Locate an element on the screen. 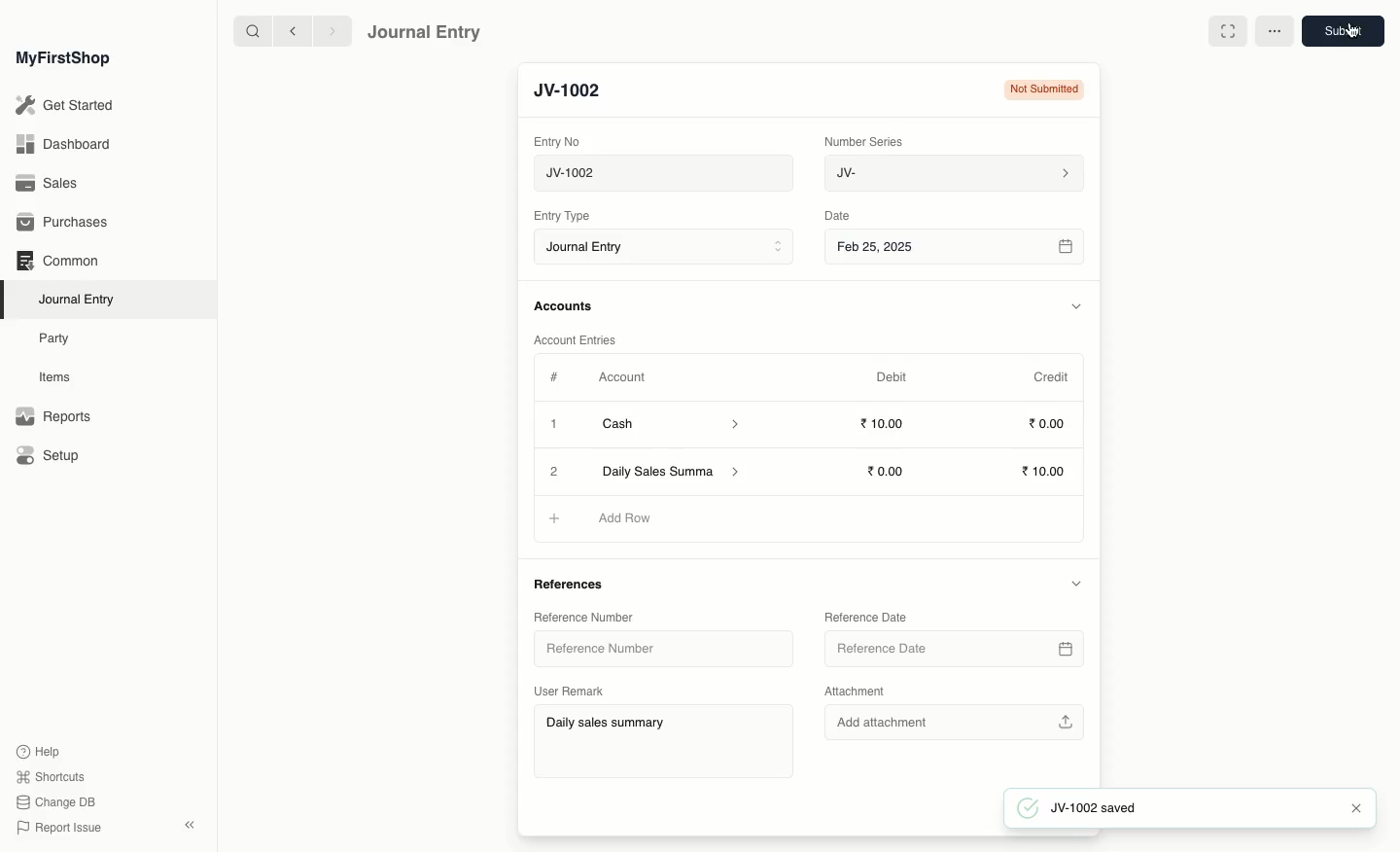  cursor is located at coordinates (1358, 41).